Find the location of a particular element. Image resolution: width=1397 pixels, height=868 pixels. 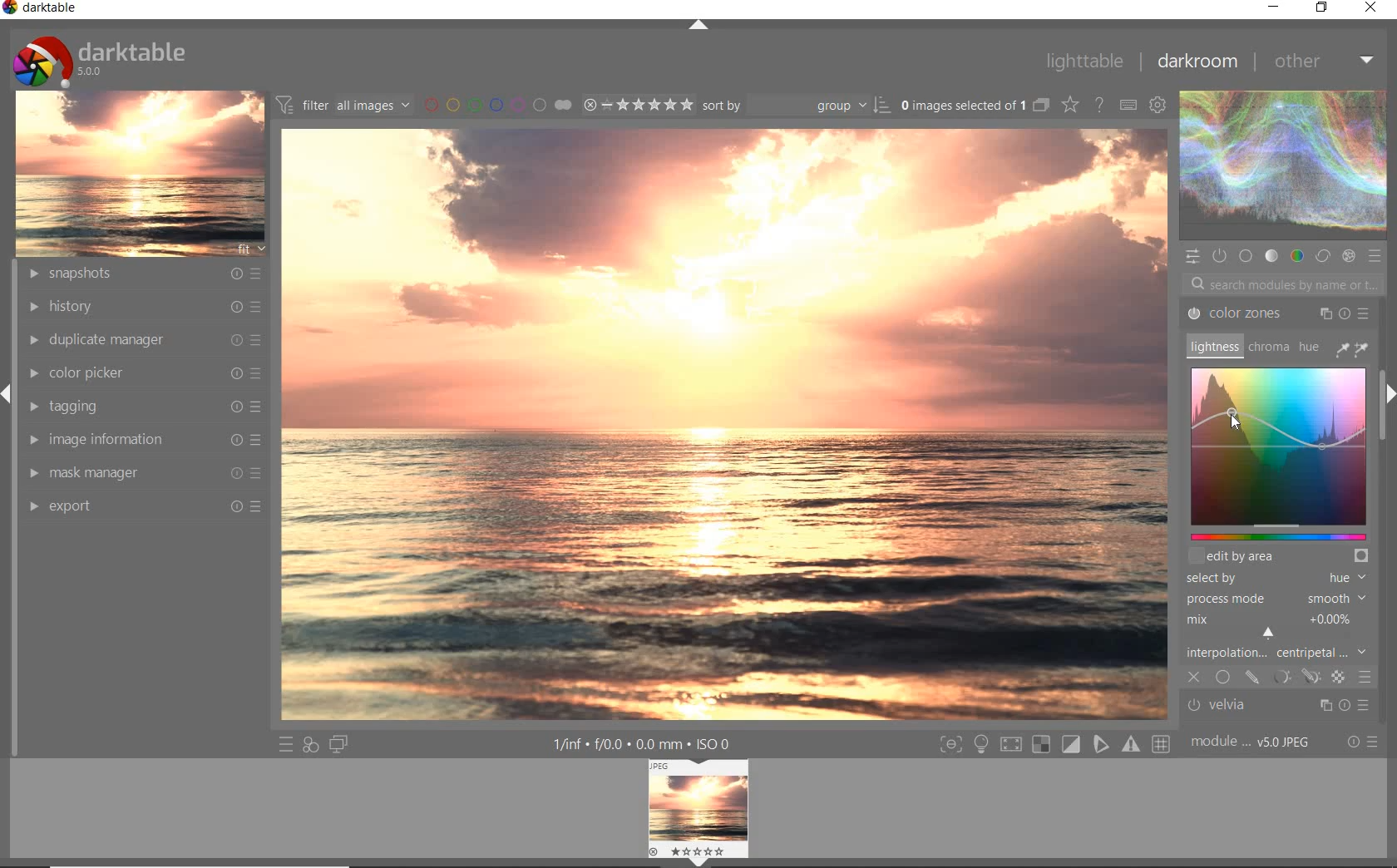

QUICK ACCESS PANEL is located at coordinates (1194, 255).